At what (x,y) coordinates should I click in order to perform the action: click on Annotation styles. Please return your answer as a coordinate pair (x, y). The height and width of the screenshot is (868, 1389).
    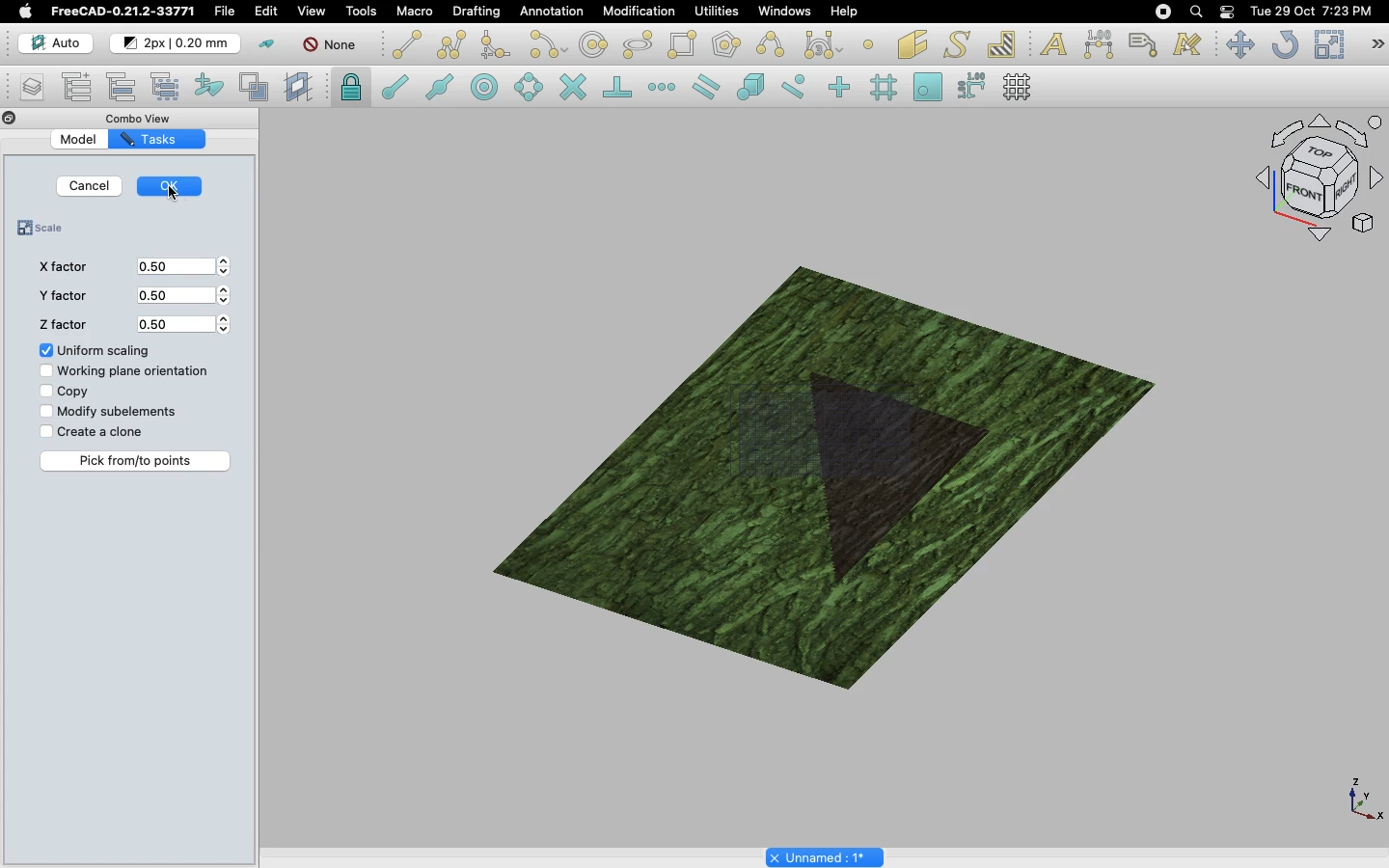
    Looking at the image, I should click on (1186, 46).